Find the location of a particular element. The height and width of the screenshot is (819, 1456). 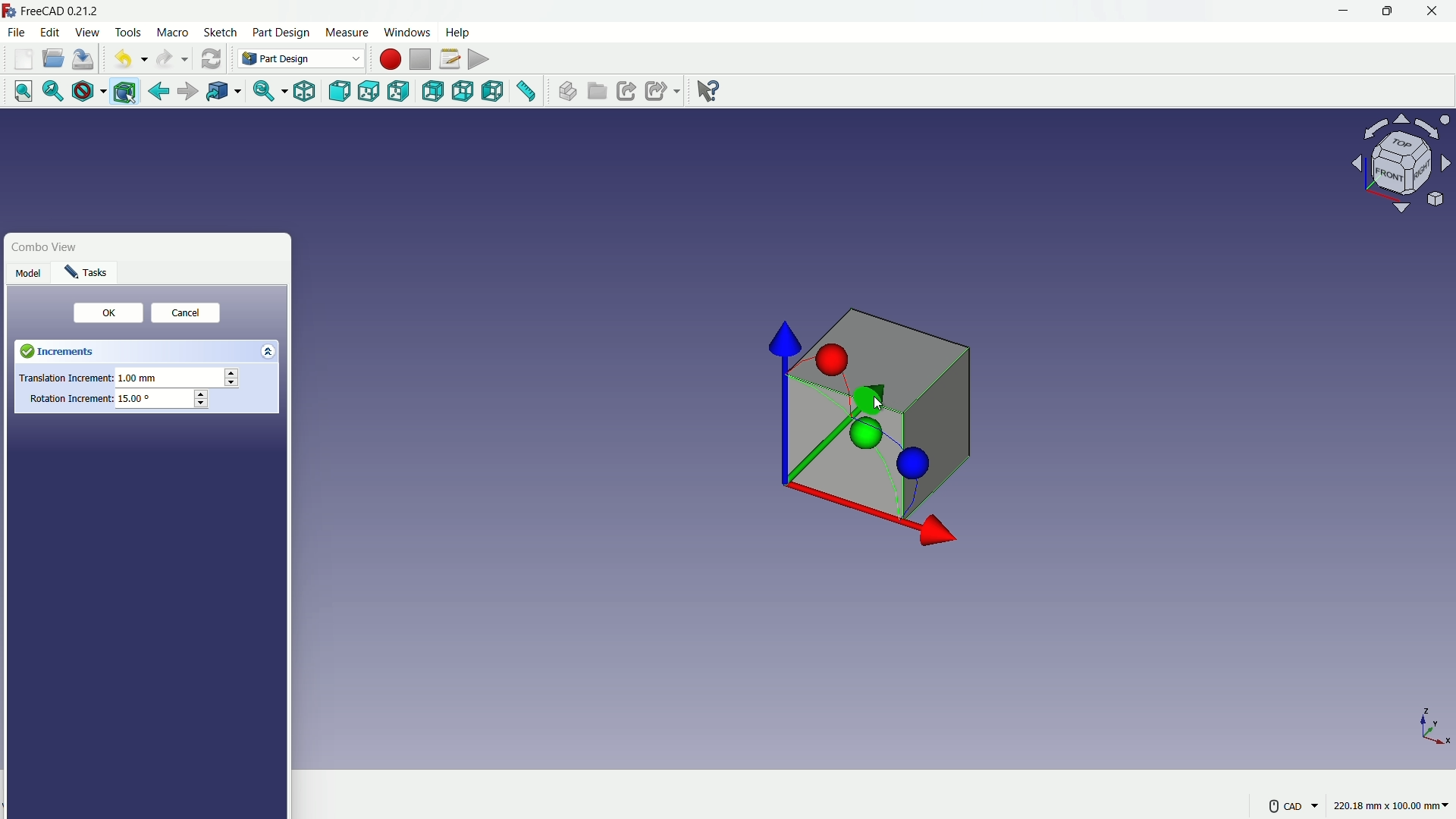

execute macros is located at coordinates (480, 58).